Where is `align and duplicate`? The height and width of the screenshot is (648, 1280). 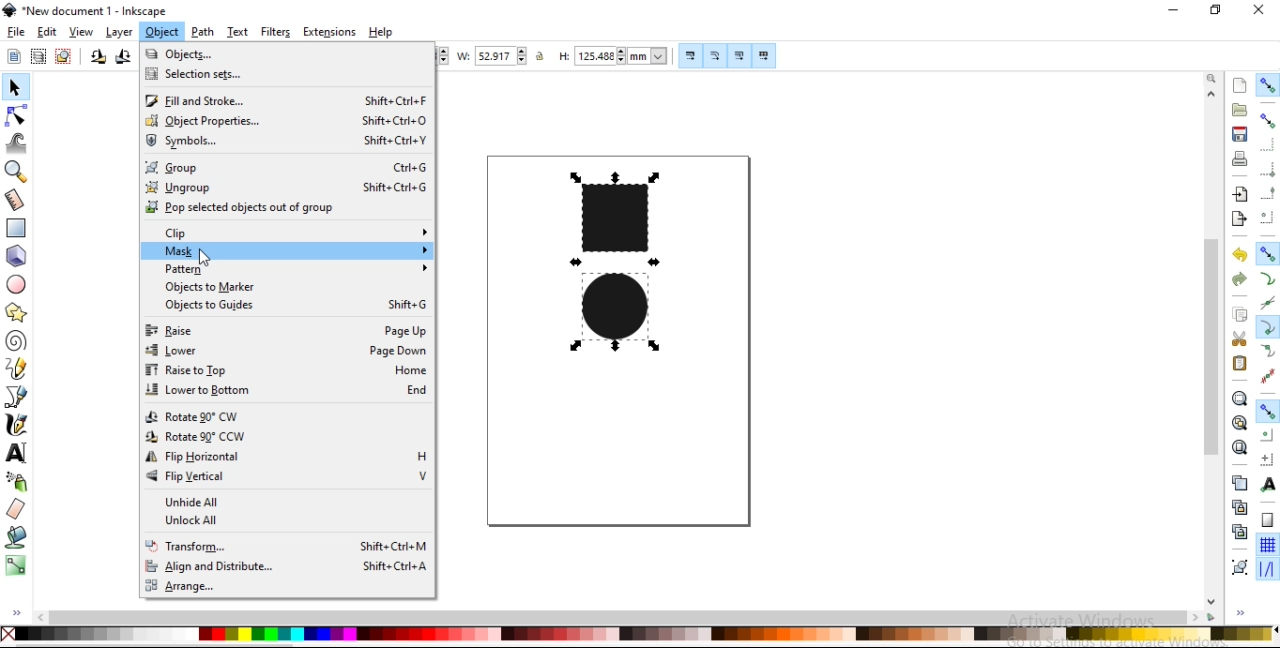
align and duplicate is located at coordinates (286, 568).